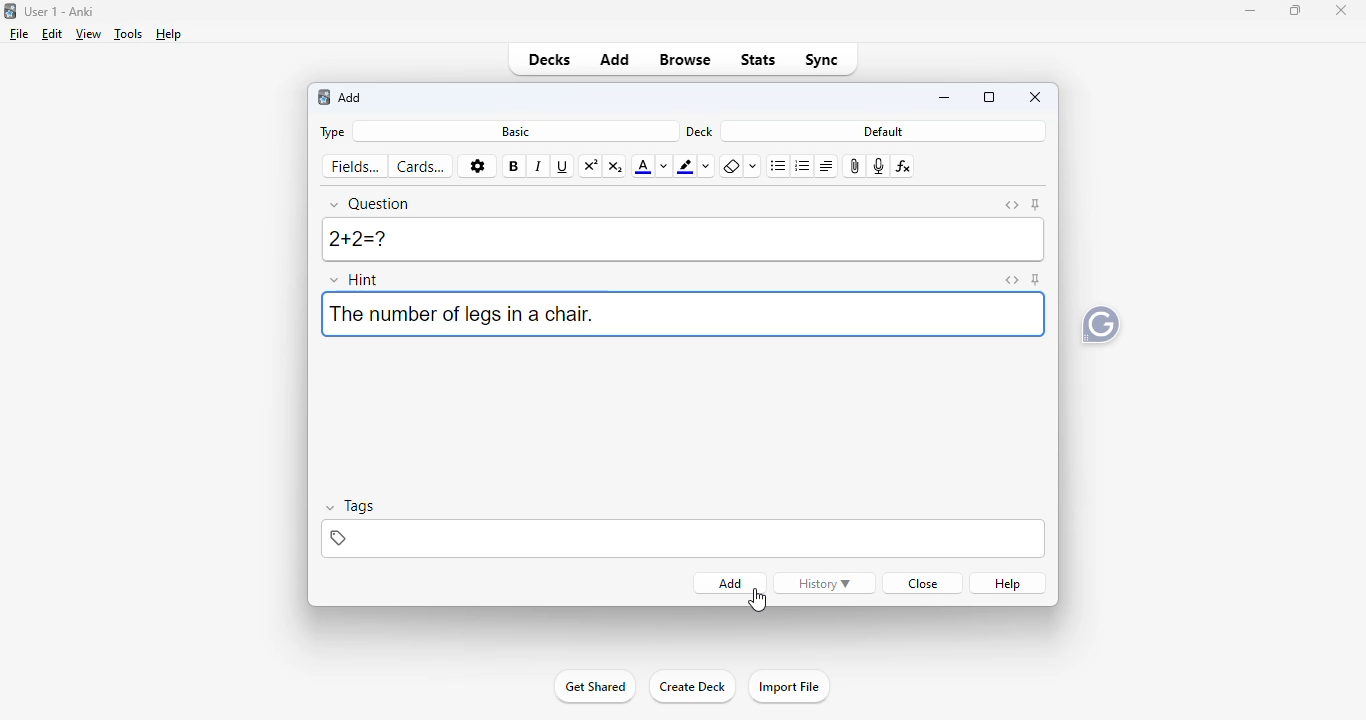  I want to click on cards, so click(422, 167).